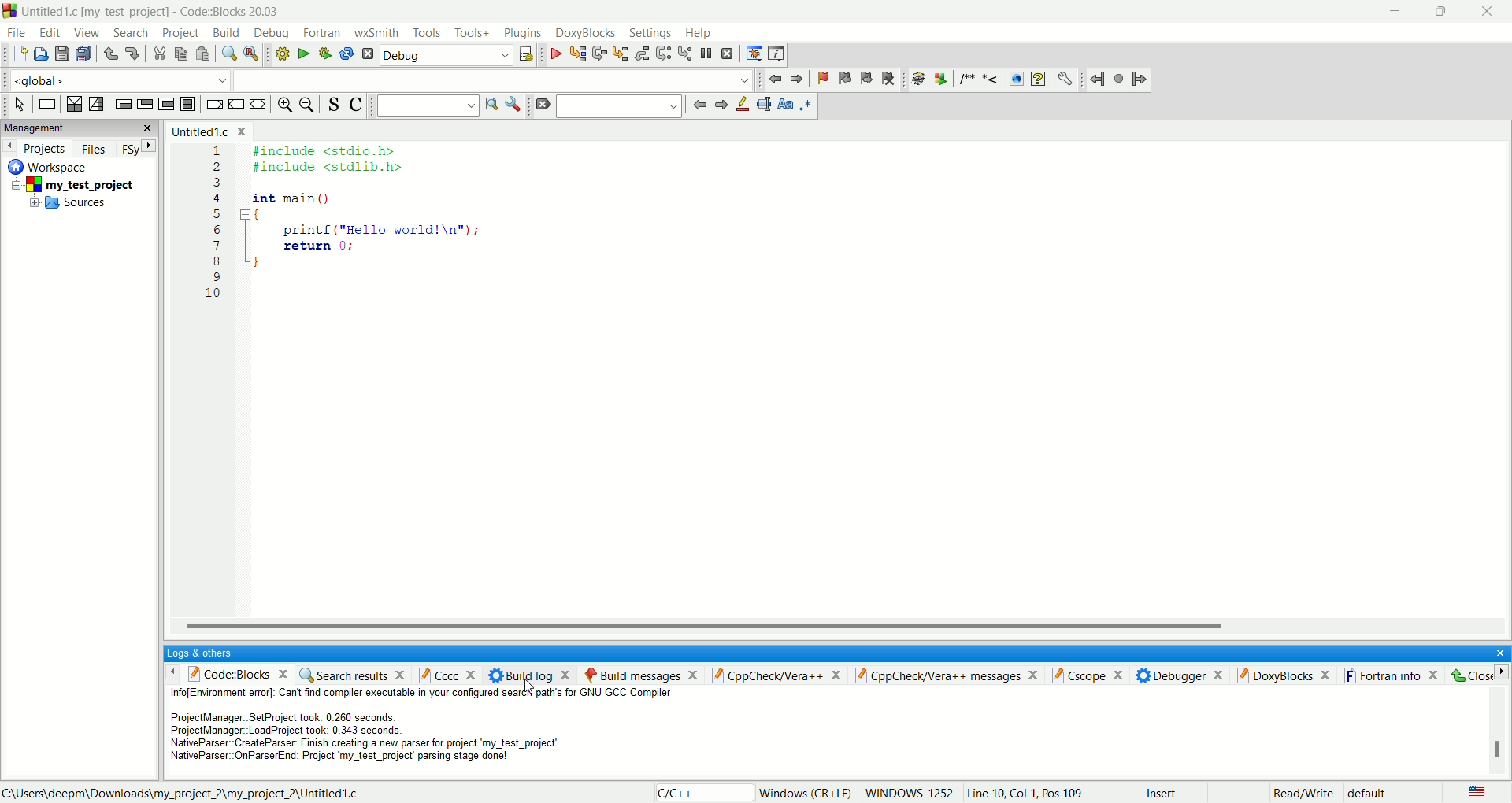  I want to click on toggle bookmark, so click(820, 79).